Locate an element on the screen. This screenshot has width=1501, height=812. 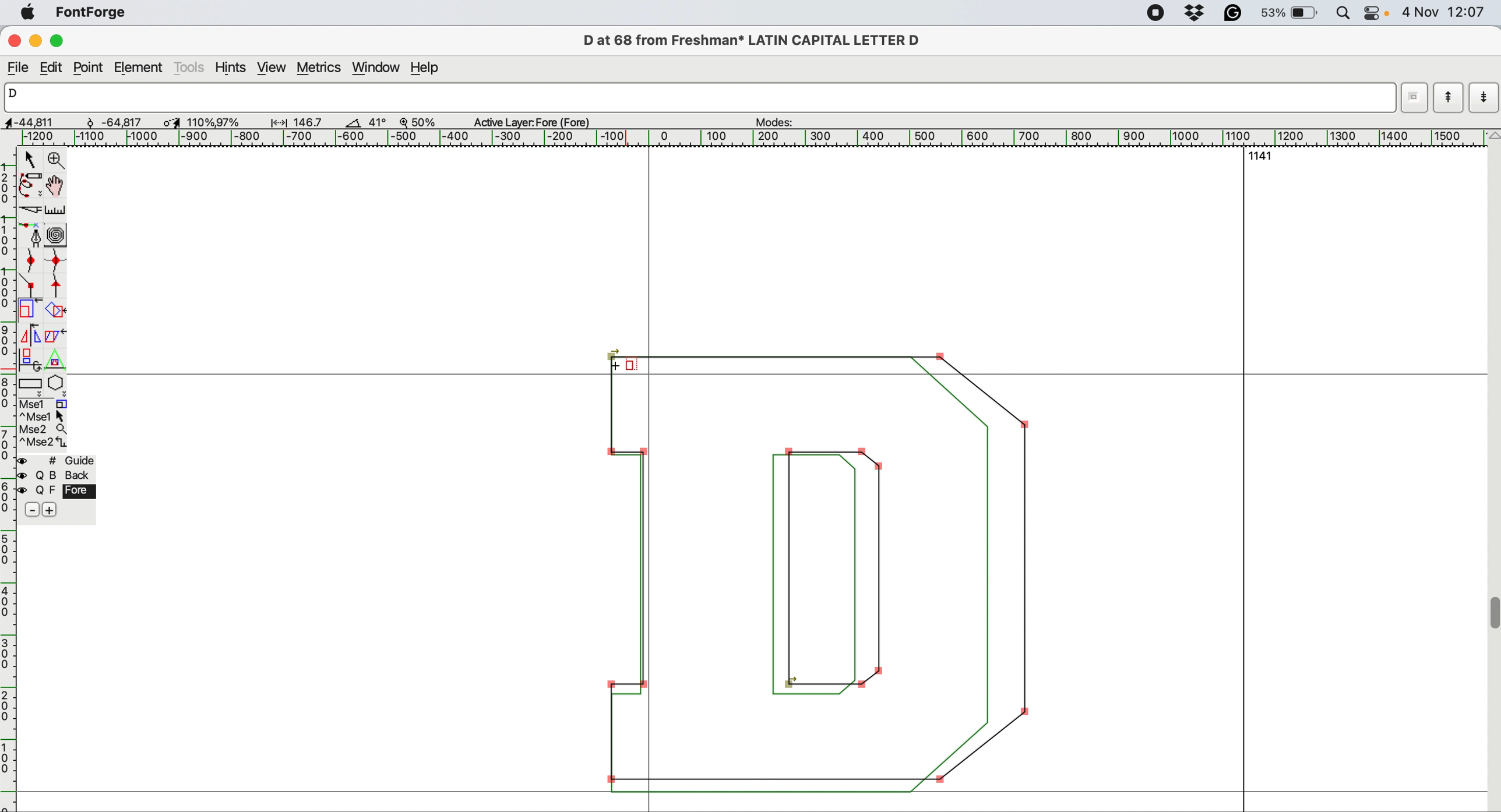
angle is located at coordinates (352, 123).